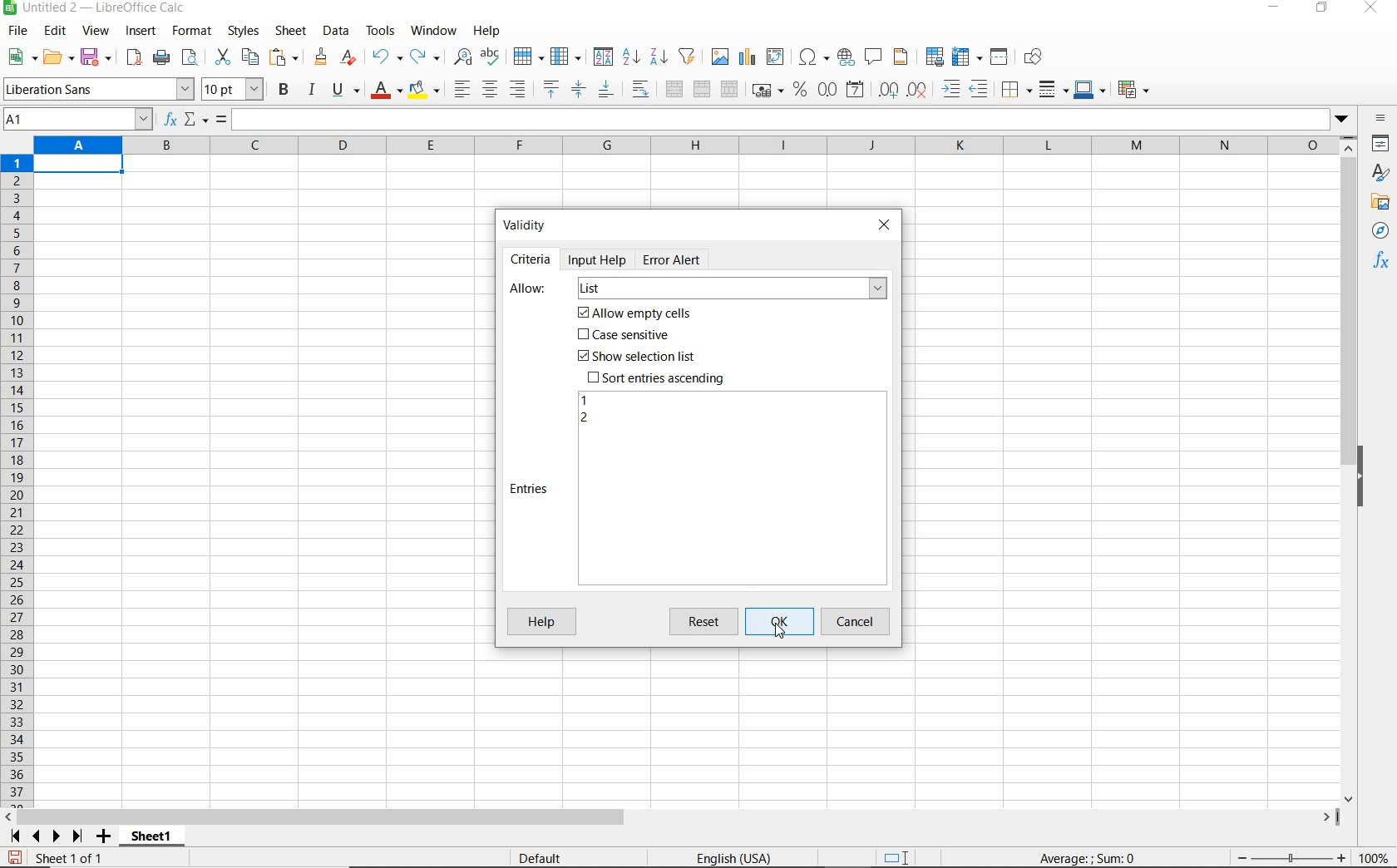 The width and height of the screenshot is (1397, 868). I want to click on center vertically, so click(578, 90).